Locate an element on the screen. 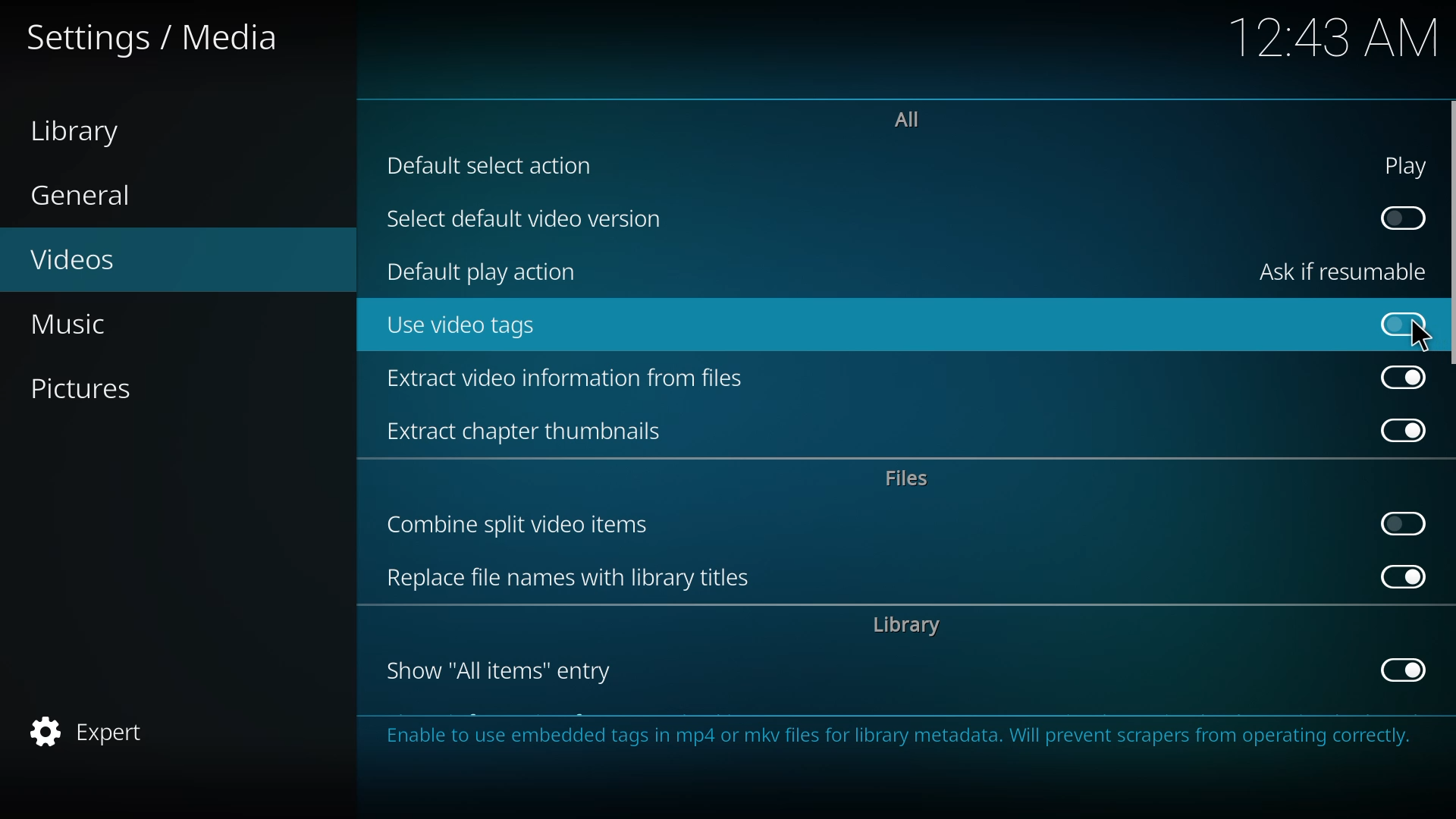  library is located at coordinates (911, 626).